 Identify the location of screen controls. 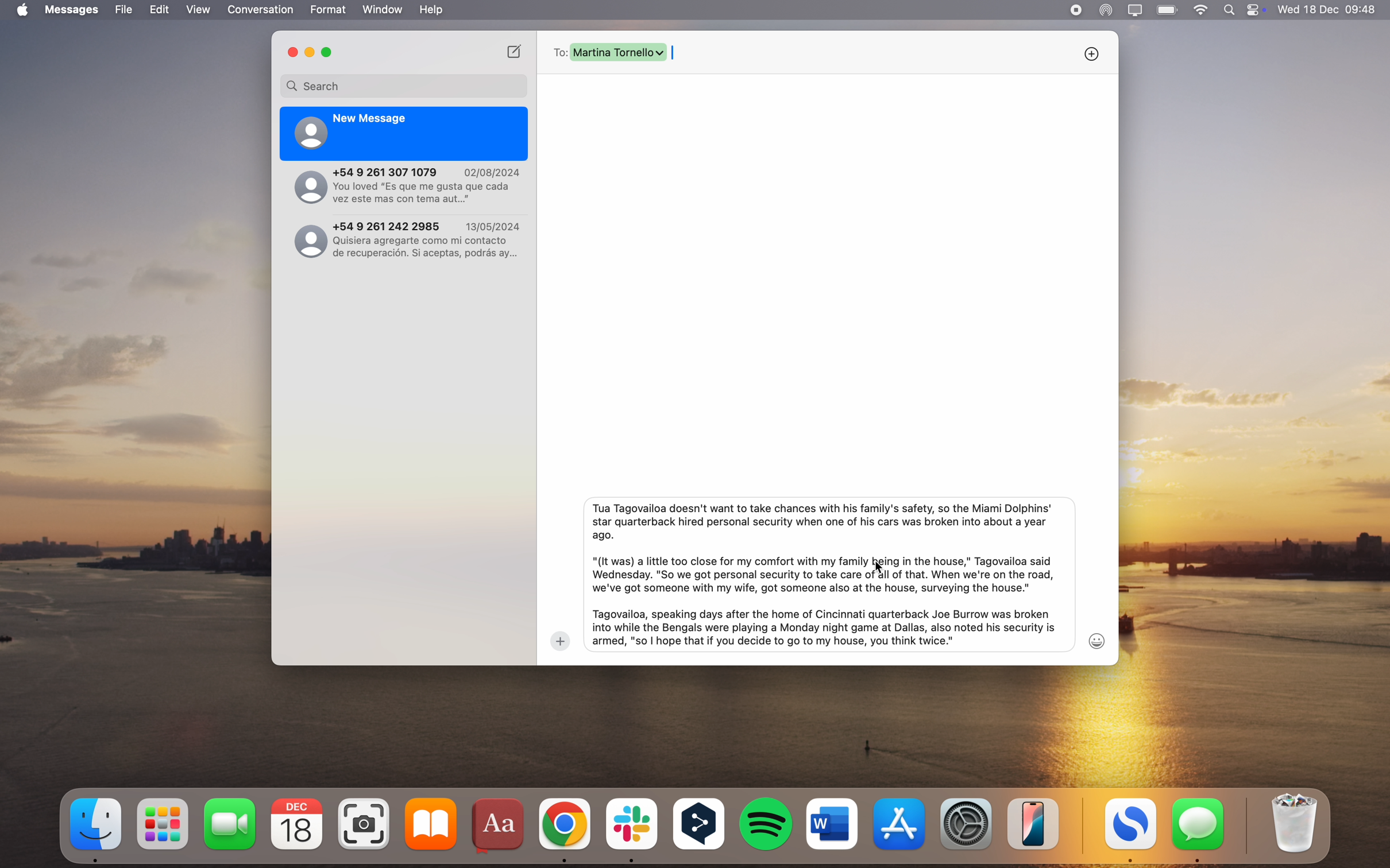
(1258, 10).